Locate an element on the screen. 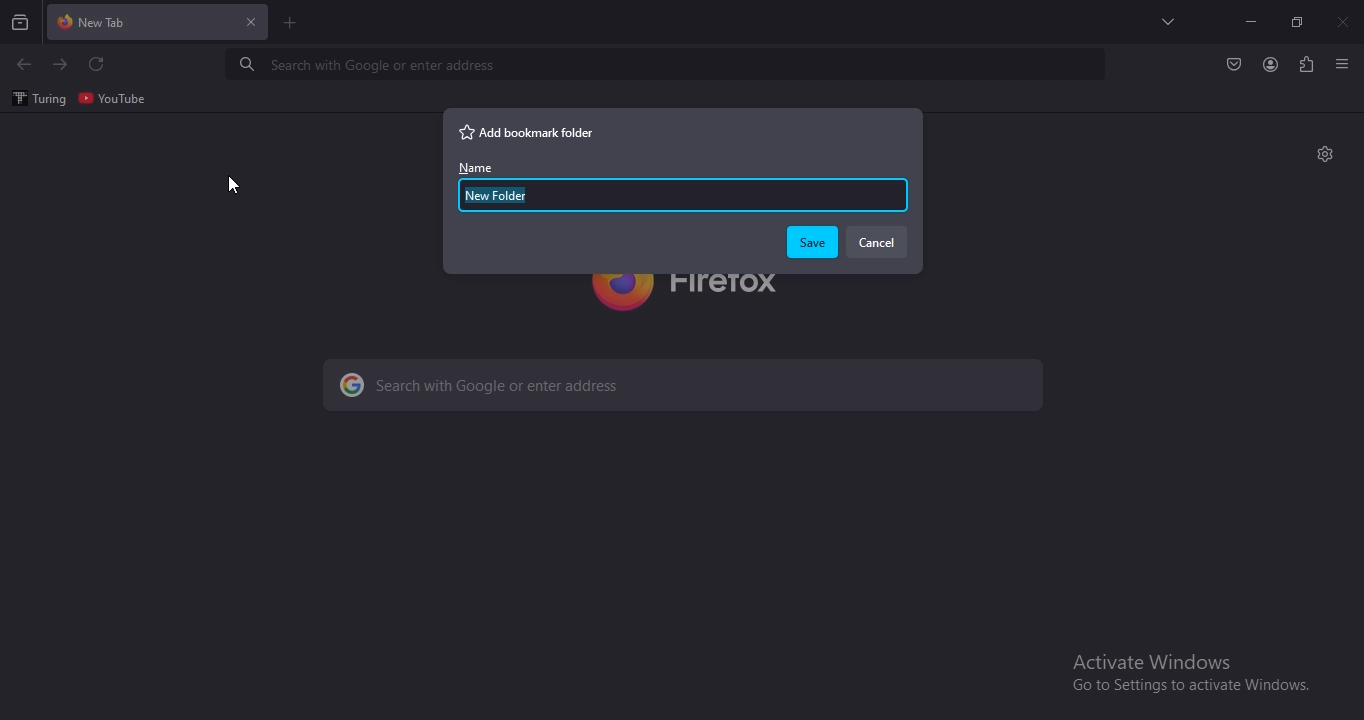 The image size is (1364, 720). cursor is located at coordinates (234, 182).